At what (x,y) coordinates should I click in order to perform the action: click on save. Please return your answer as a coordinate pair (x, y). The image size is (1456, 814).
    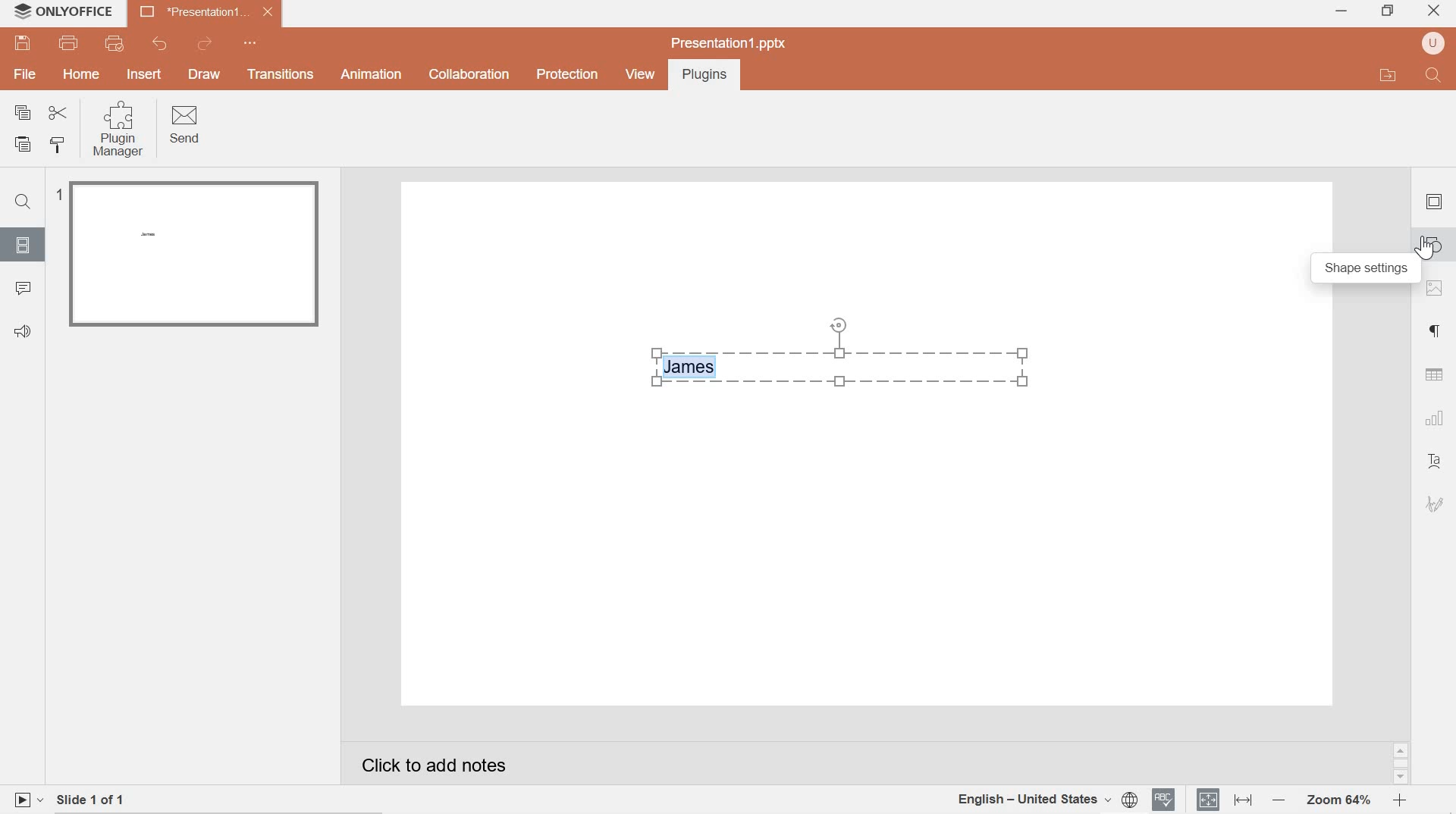
    Looking at the image, I should click on (24, 43).